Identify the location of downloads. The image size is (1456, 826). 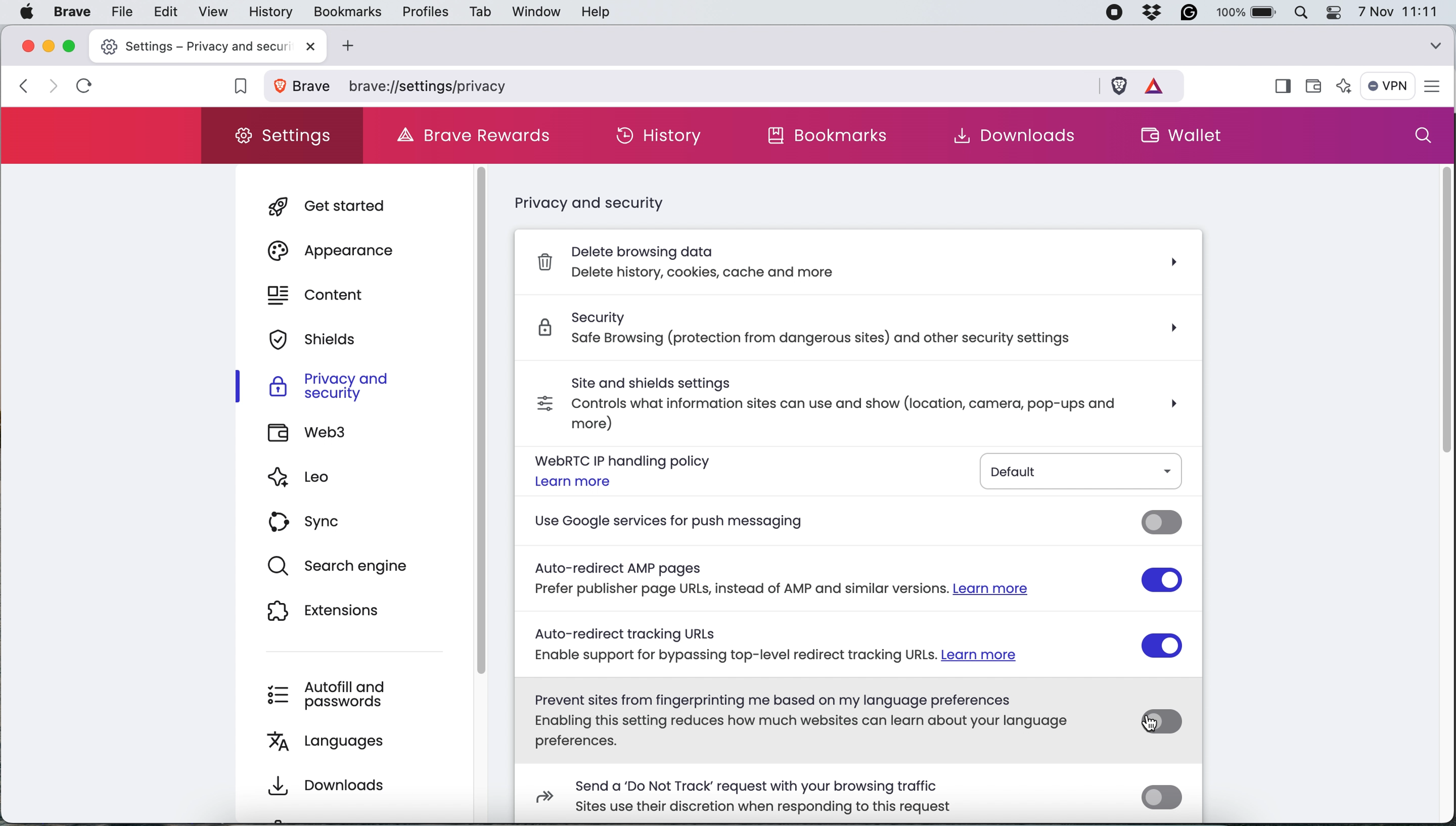
(1006, 136).